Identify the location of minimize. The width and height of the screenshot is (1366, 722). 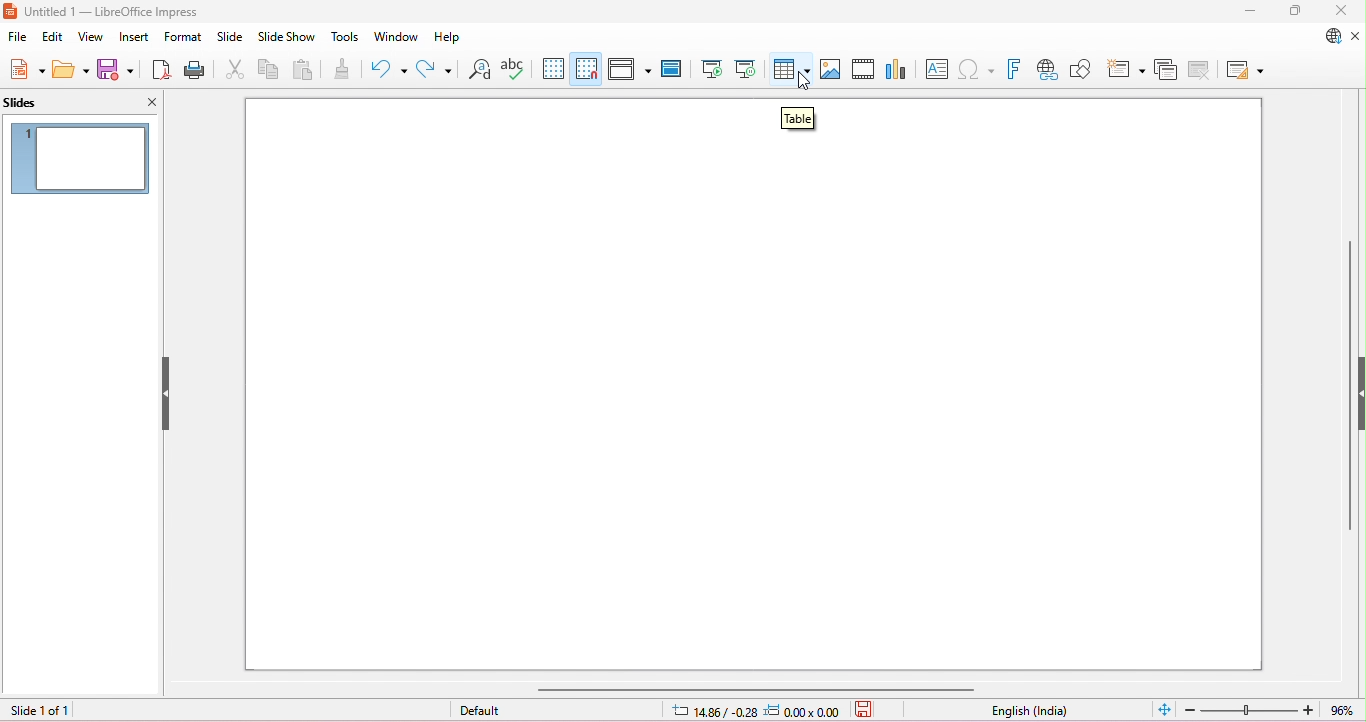
(1252, 11).